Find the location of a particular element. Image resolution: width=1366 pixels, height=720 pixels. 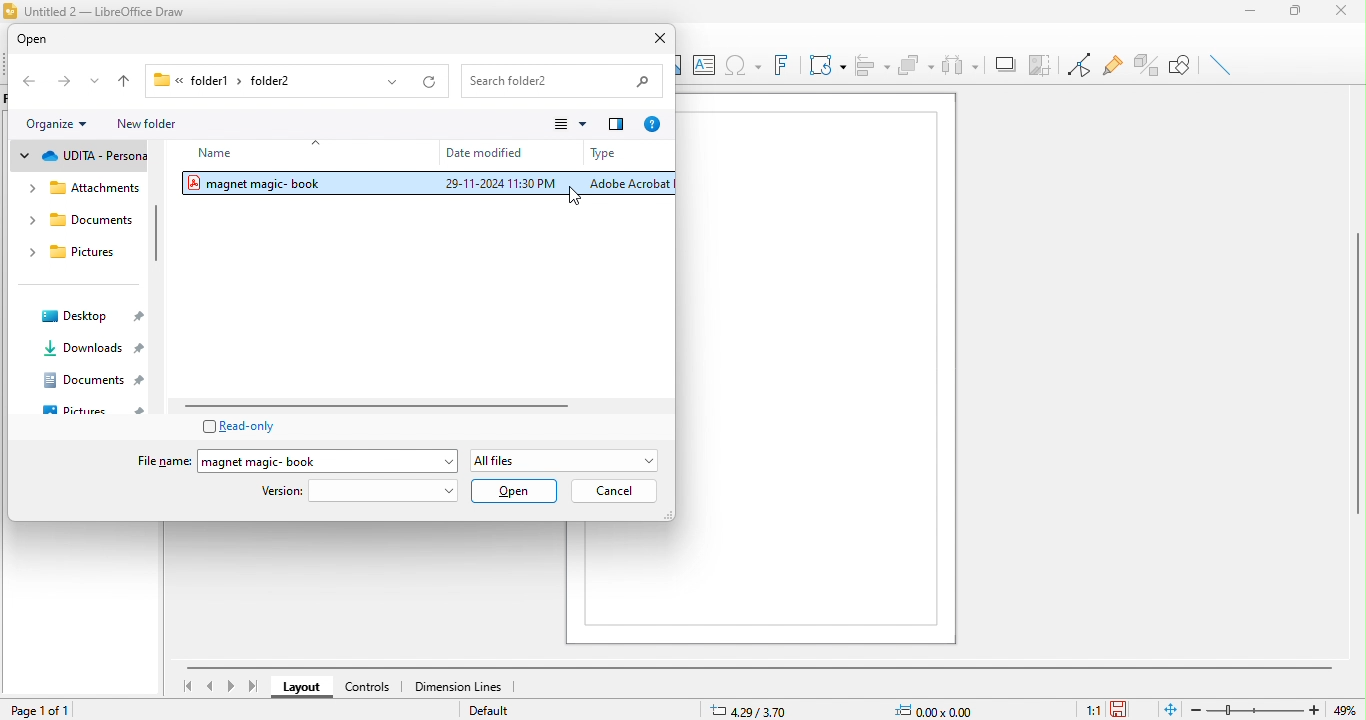

horizontal scroll bar is located at coordinates (393, 406).